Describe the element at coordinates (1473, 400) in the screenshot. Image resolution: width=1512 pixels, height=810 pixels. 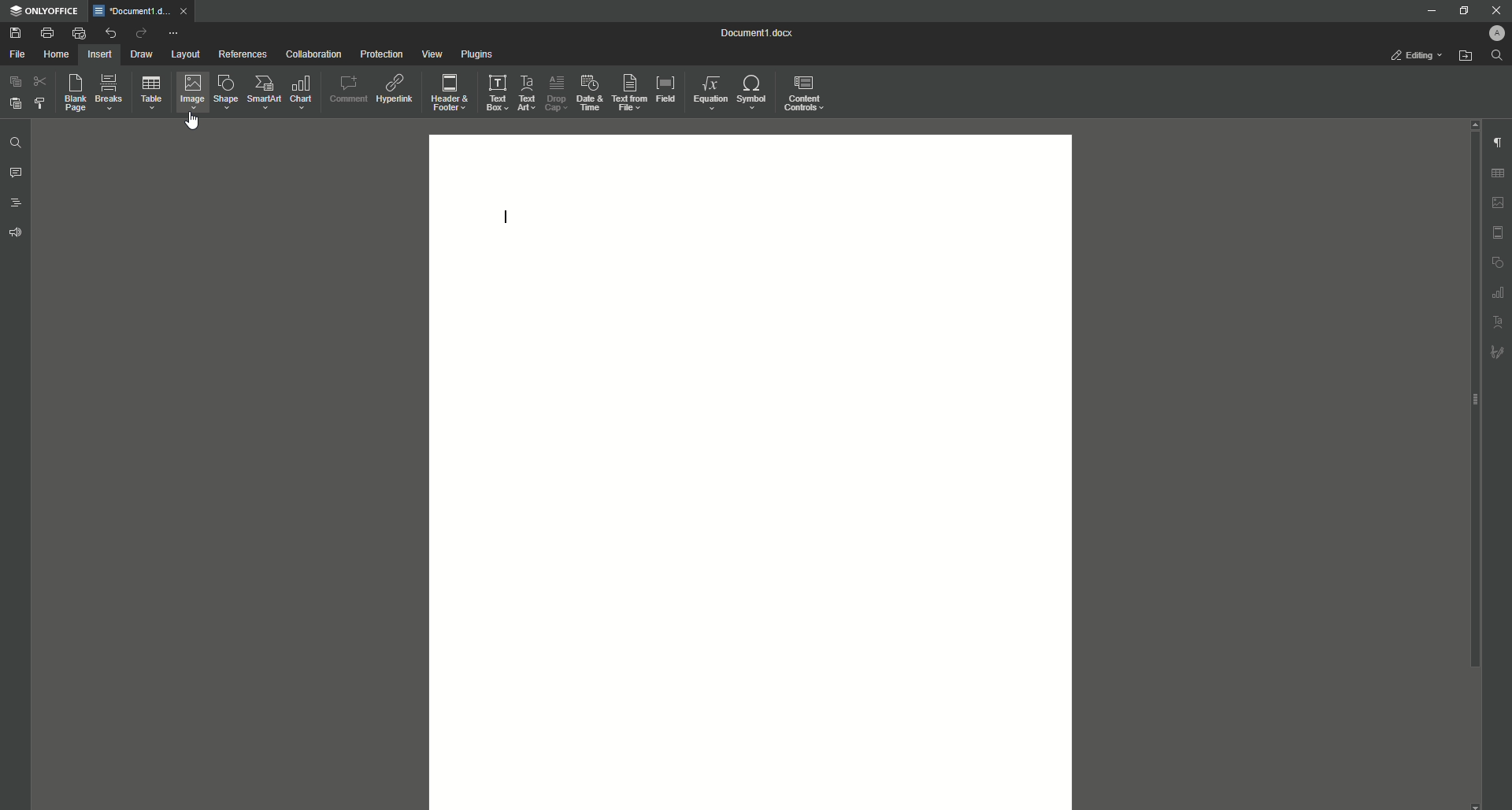
I see `Scroll bar` at that location.